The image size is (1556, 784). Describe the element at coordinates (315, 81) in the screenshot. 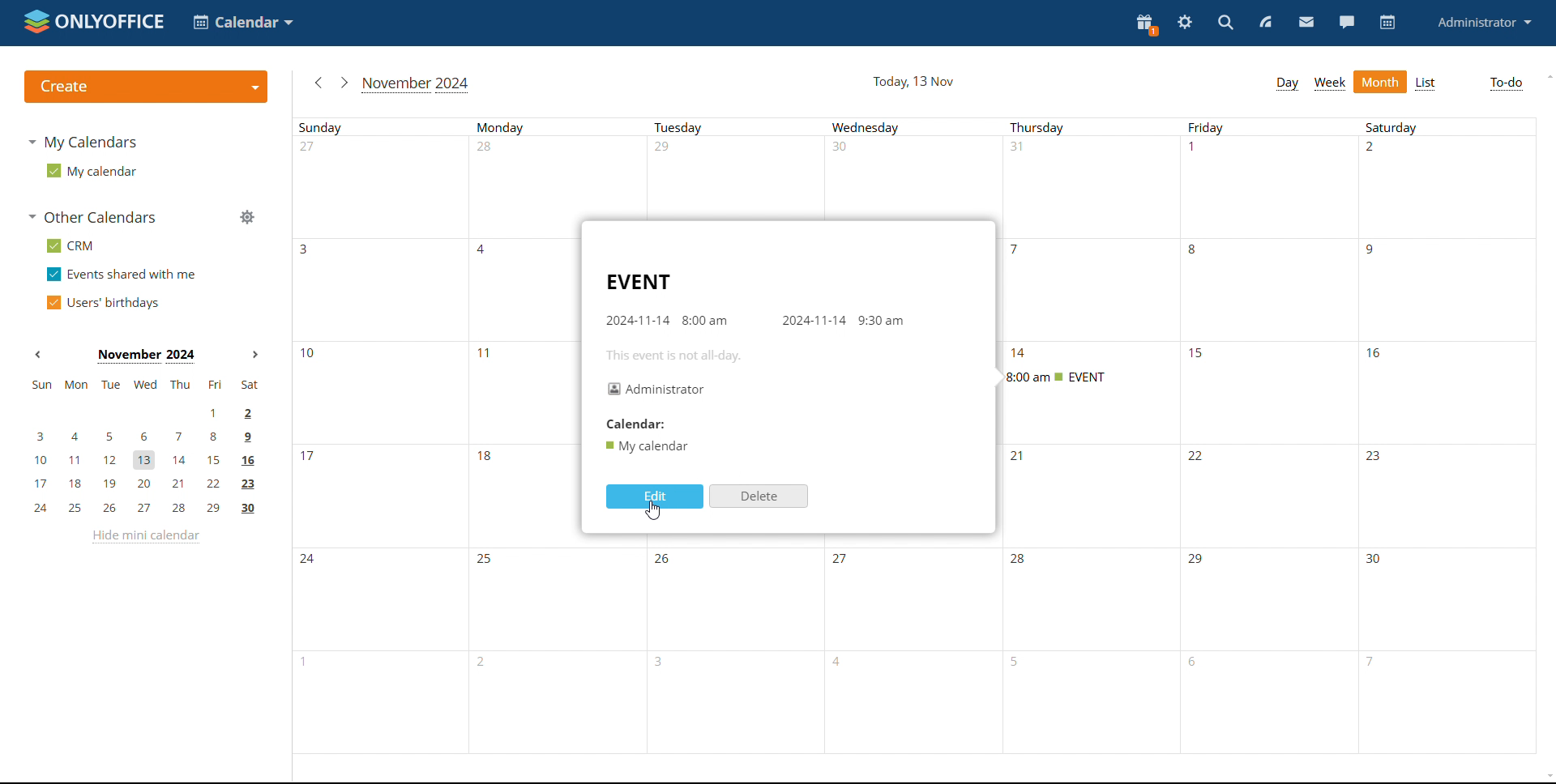

I see `previous month` at that location.